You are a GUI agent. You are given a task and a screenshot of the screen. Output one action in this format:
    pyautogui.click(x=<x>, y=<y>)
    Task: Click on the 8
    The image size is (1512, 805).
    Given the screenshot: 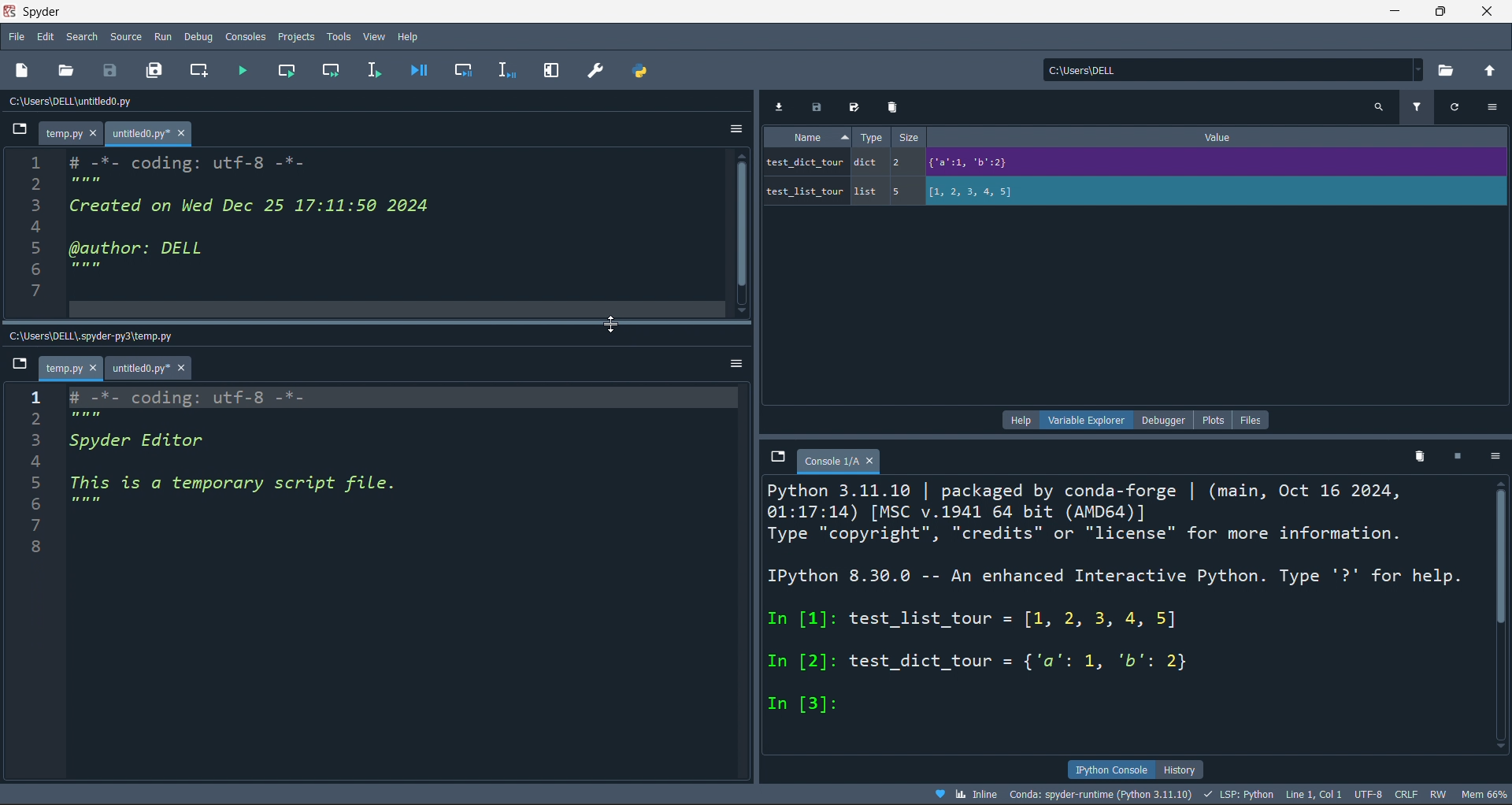 What is the action you would take?
    pyautogui.click(x=40, y=310)
    